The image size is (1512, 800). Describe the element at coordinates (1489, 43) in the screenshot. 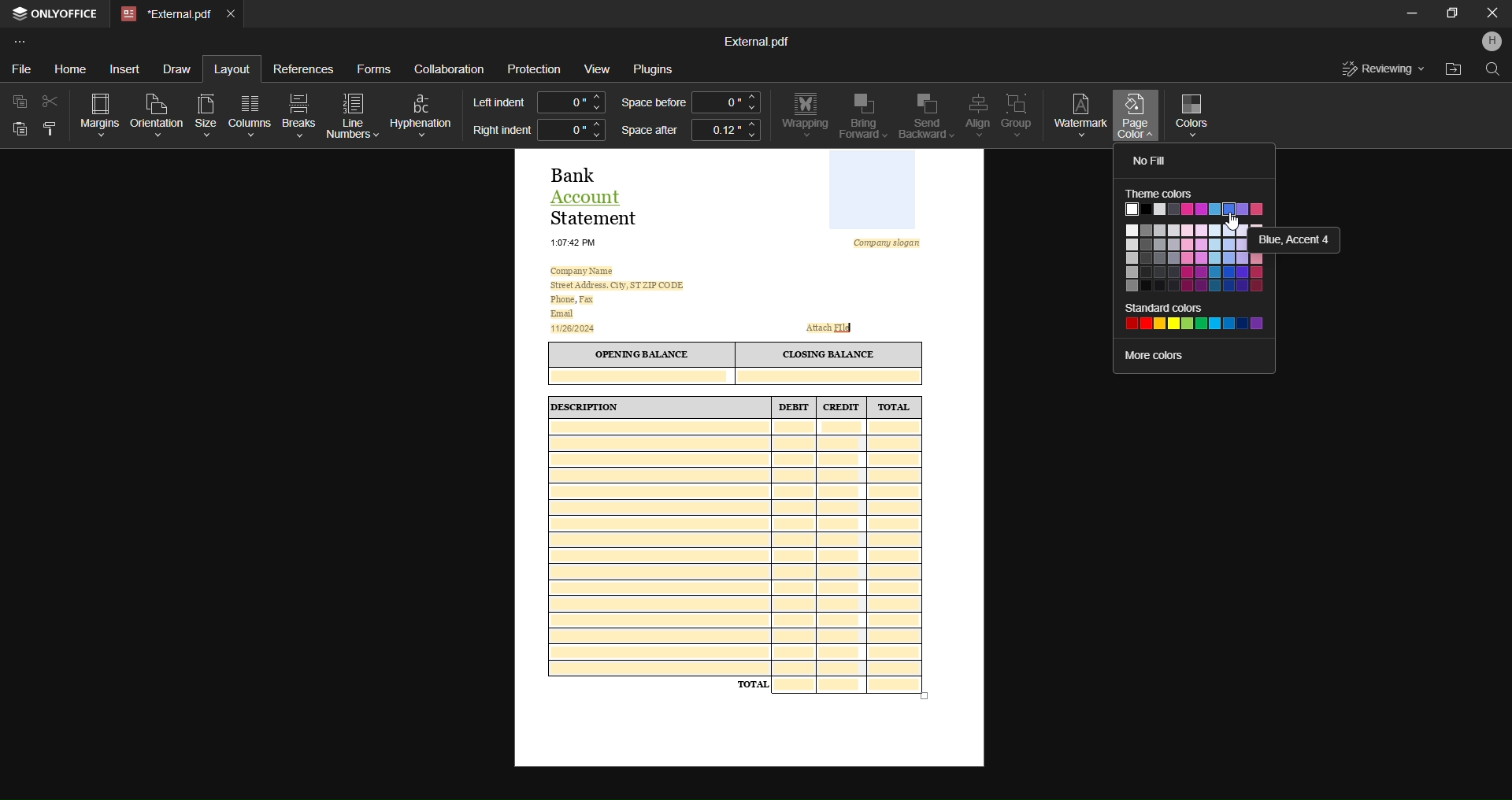

I see `Profile` at that location.